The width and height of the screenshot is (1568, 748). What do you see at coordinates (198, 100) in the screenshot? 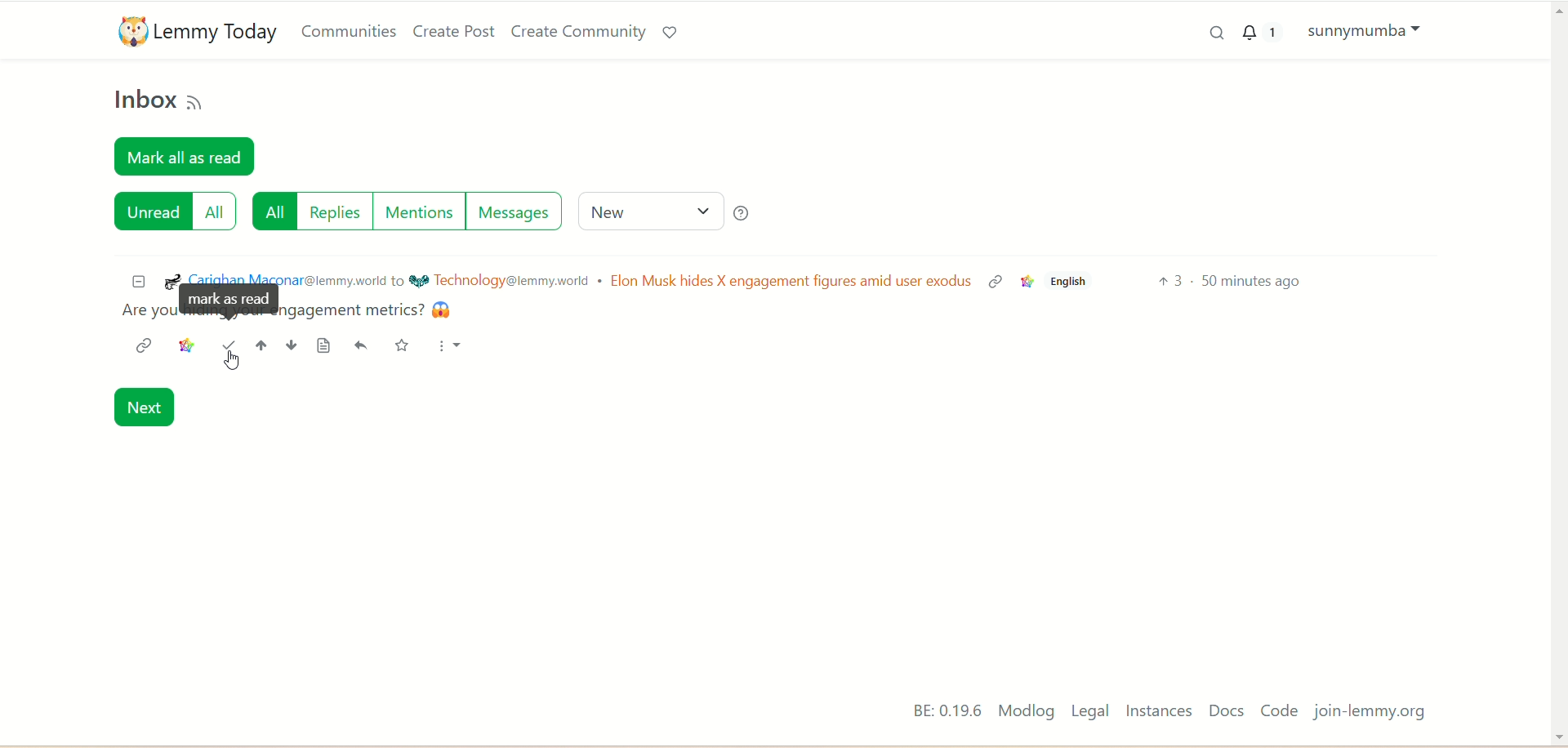
I see `RSS` at bounding box center [198, 100].